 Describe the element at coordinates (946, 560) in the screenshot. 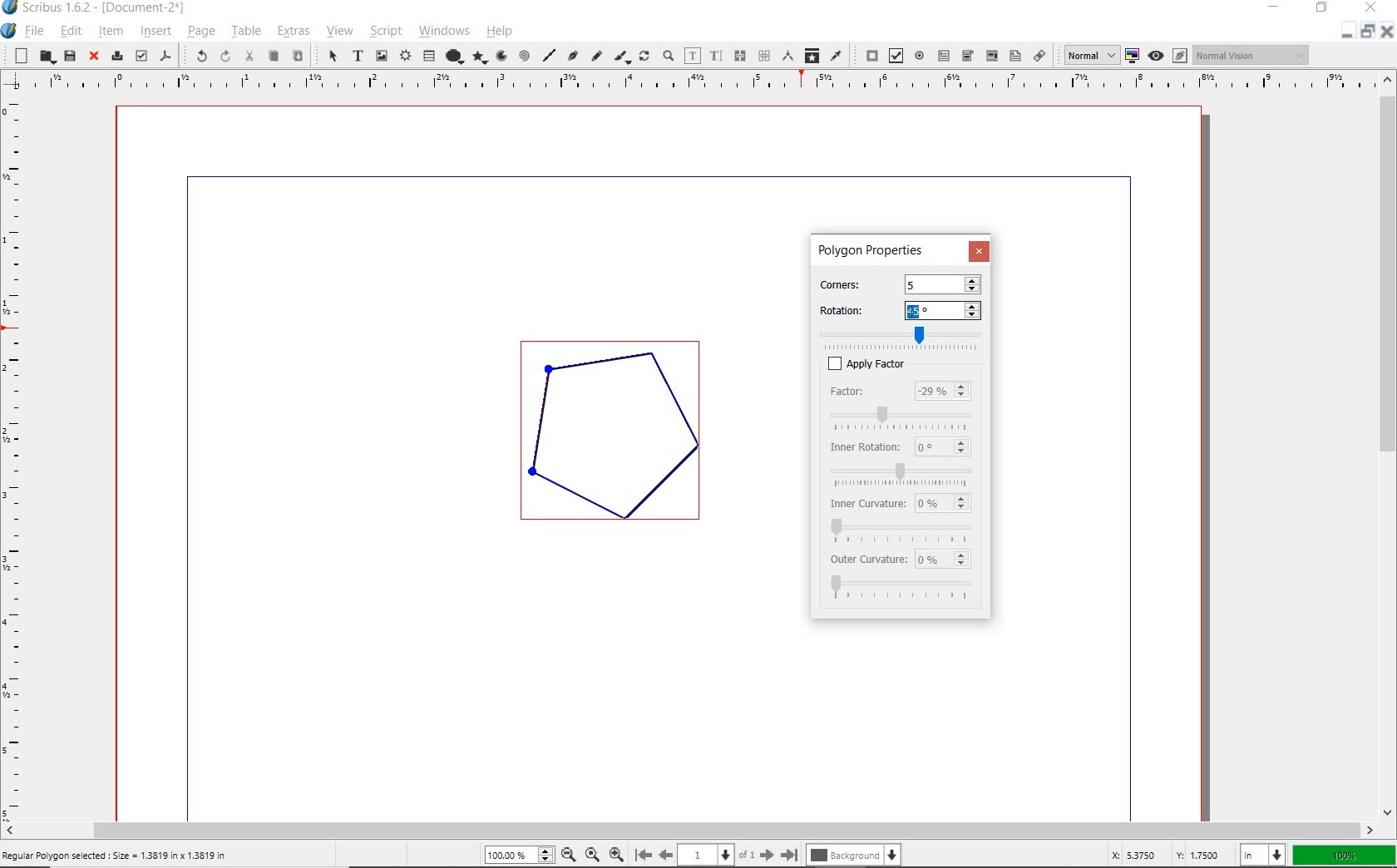

I see `outer curvature input` at that location.